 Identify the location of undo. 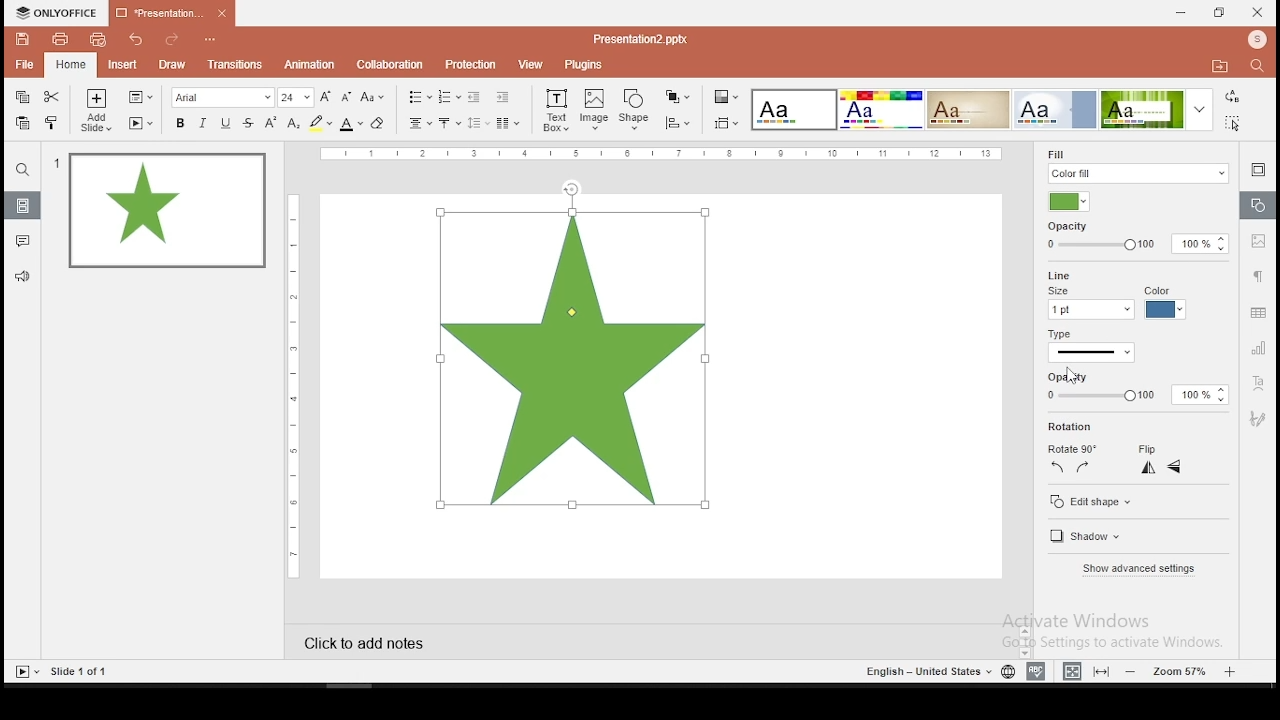
(138, 39).